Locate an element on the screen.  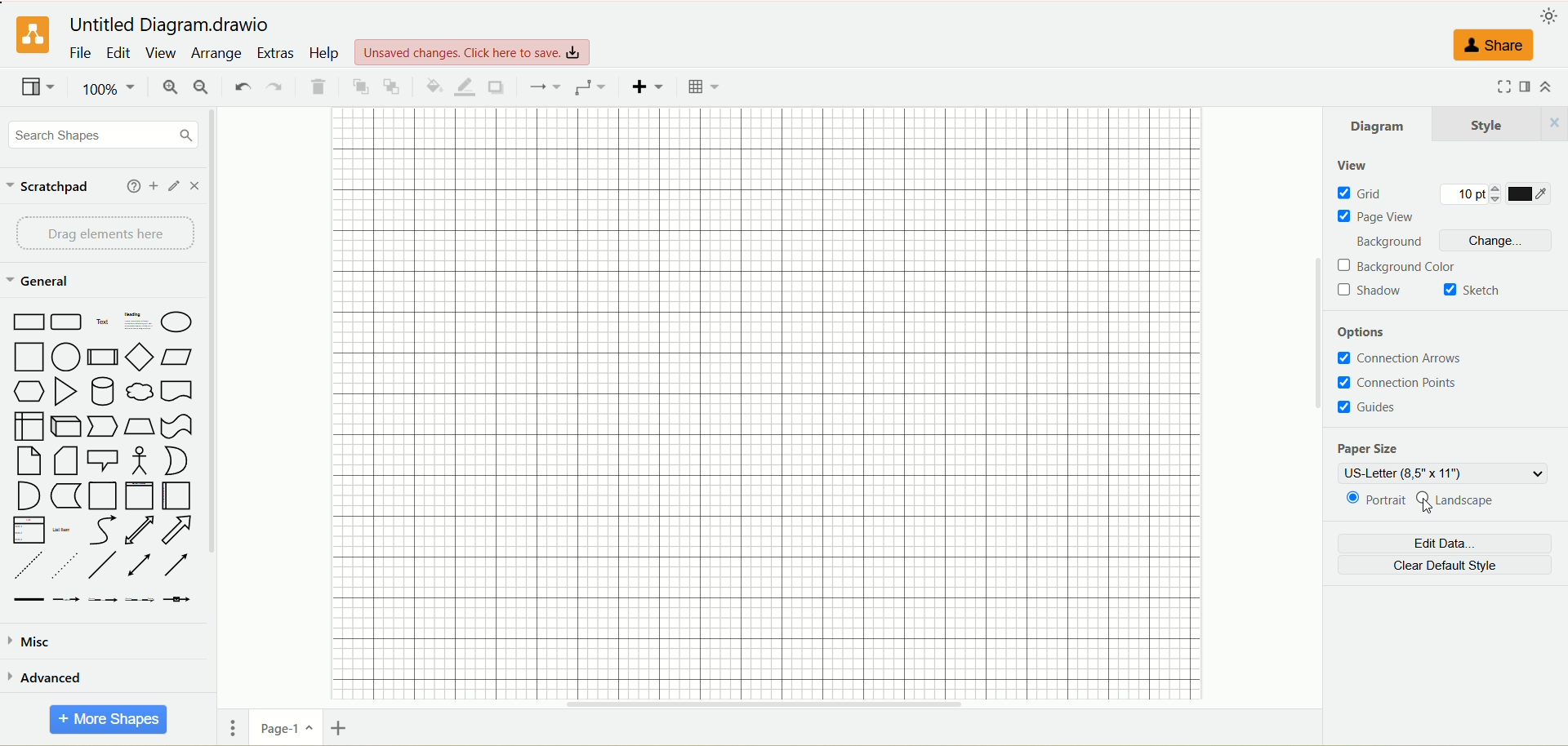
insert page is located at coordinates (337, 730).